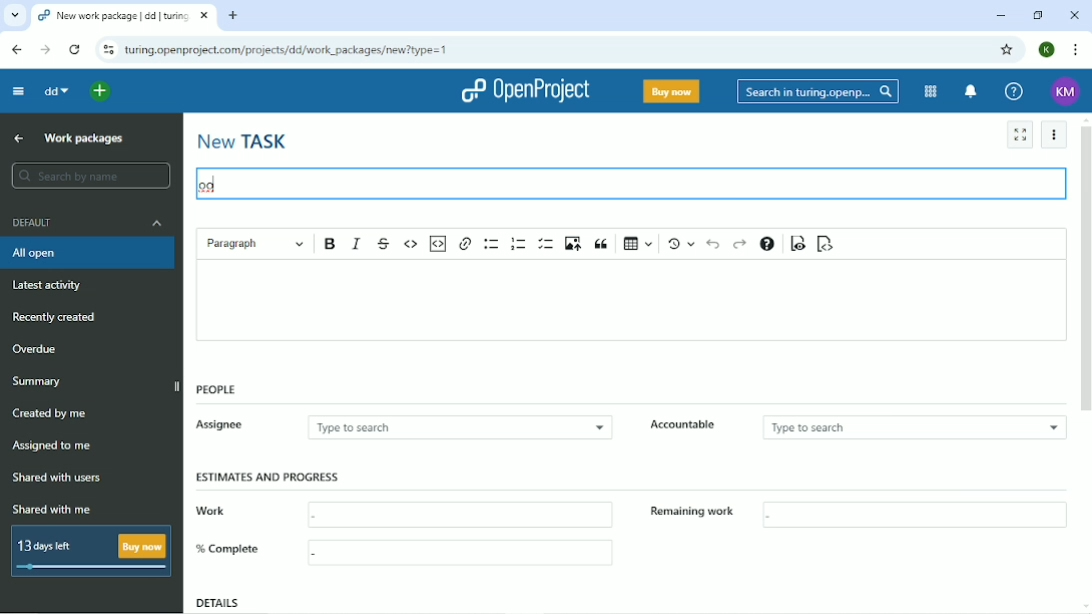  Describe the element at coordinates (60, 477) in the screenshot. I see `Shared with users` at that location.